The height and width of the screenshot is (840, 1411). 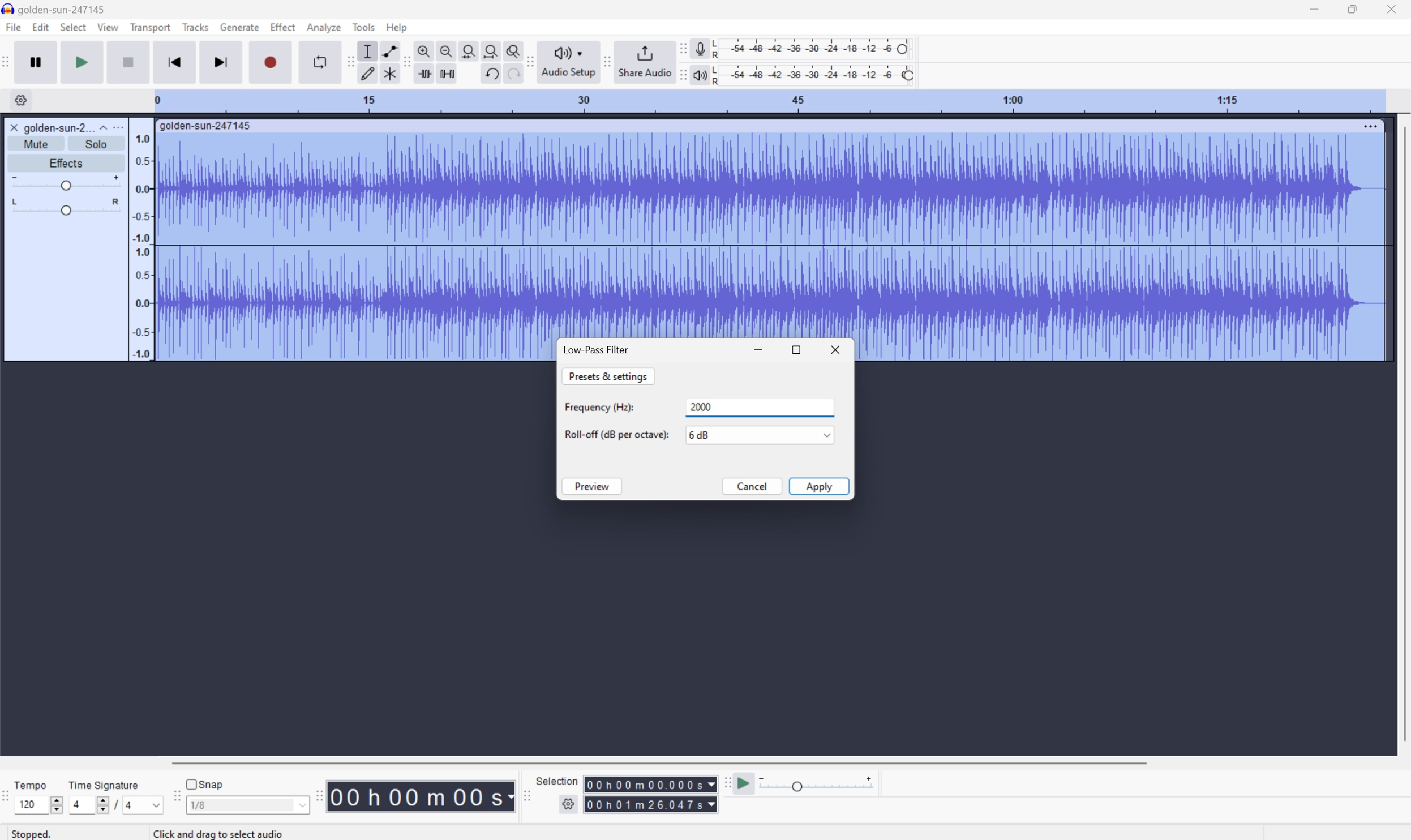 What do you see at coordinates (700, 76) in the screenshot?
I see `Playback meter` at bounding box center [700, 76].